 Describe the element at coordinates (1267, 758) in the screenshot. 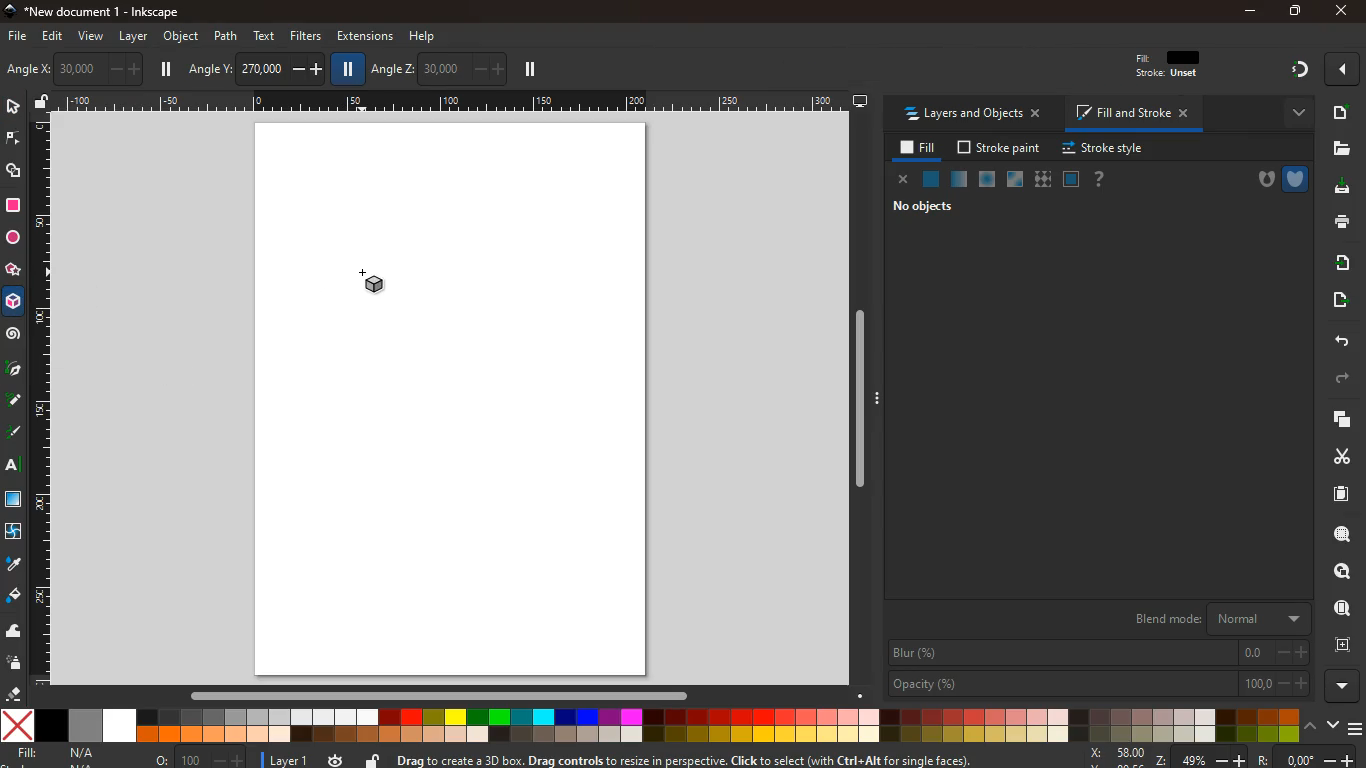

I see `` at that location.